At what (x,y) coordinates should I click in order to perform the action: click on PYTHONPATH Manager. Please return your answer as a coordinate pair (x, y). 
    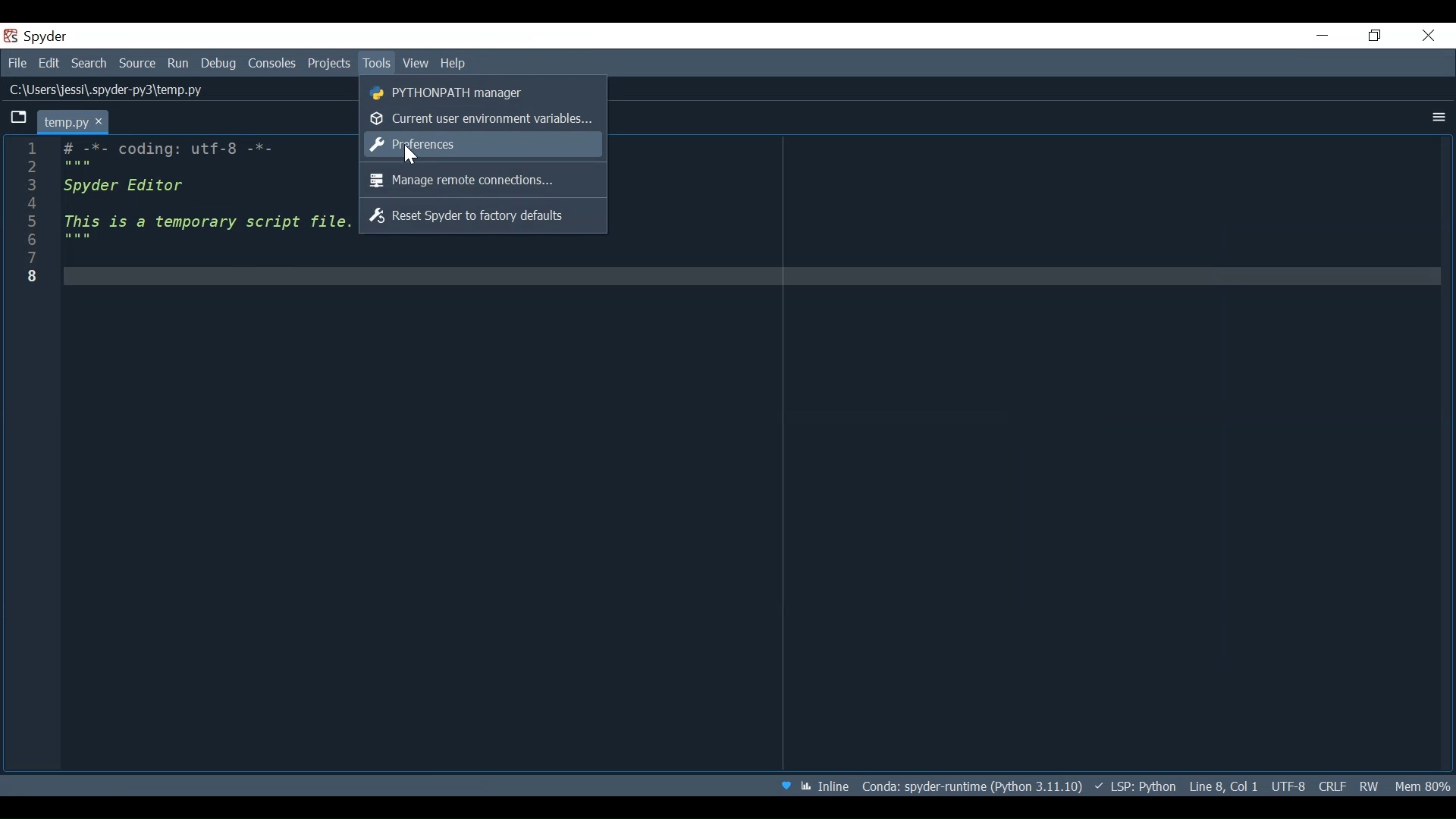
    Looking at the image, I should click on (475, 93).